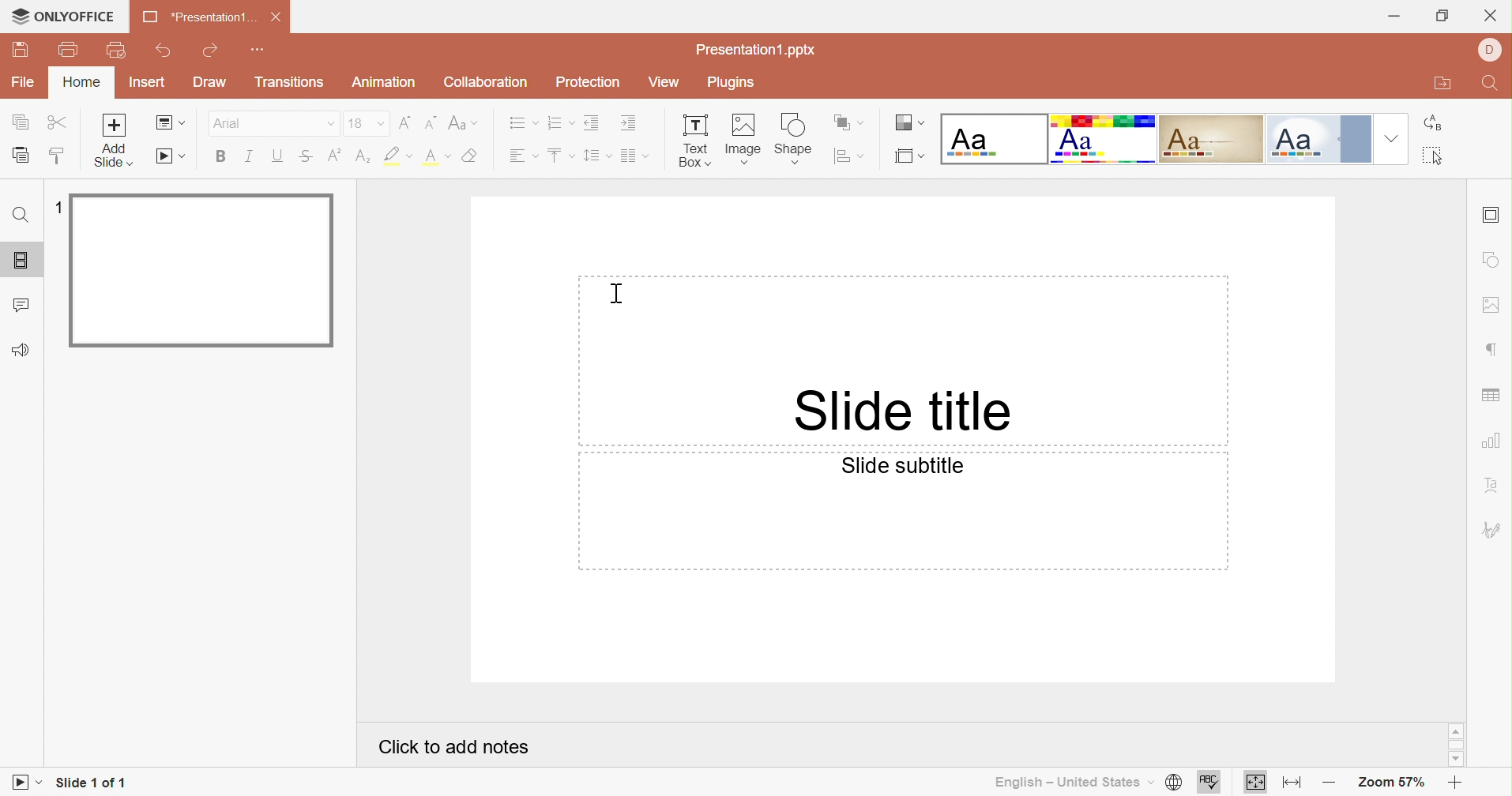 This screenshot has height=796, width=1512. Describe the element at coordinates (115, 140) in the screenshot. I see `Add slide` at that location.